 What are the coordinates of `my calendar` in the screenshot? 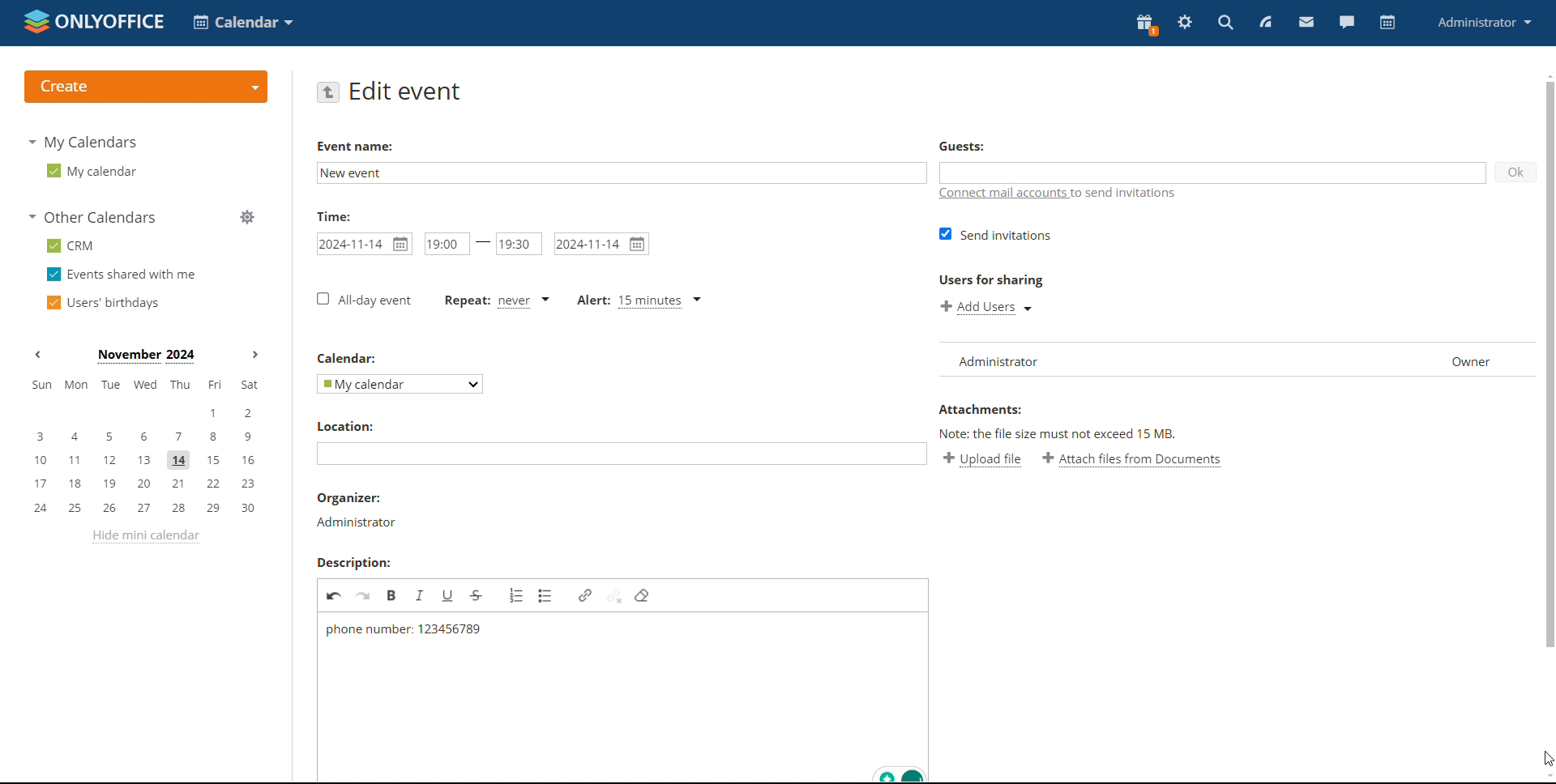 It's located at (92, 170).